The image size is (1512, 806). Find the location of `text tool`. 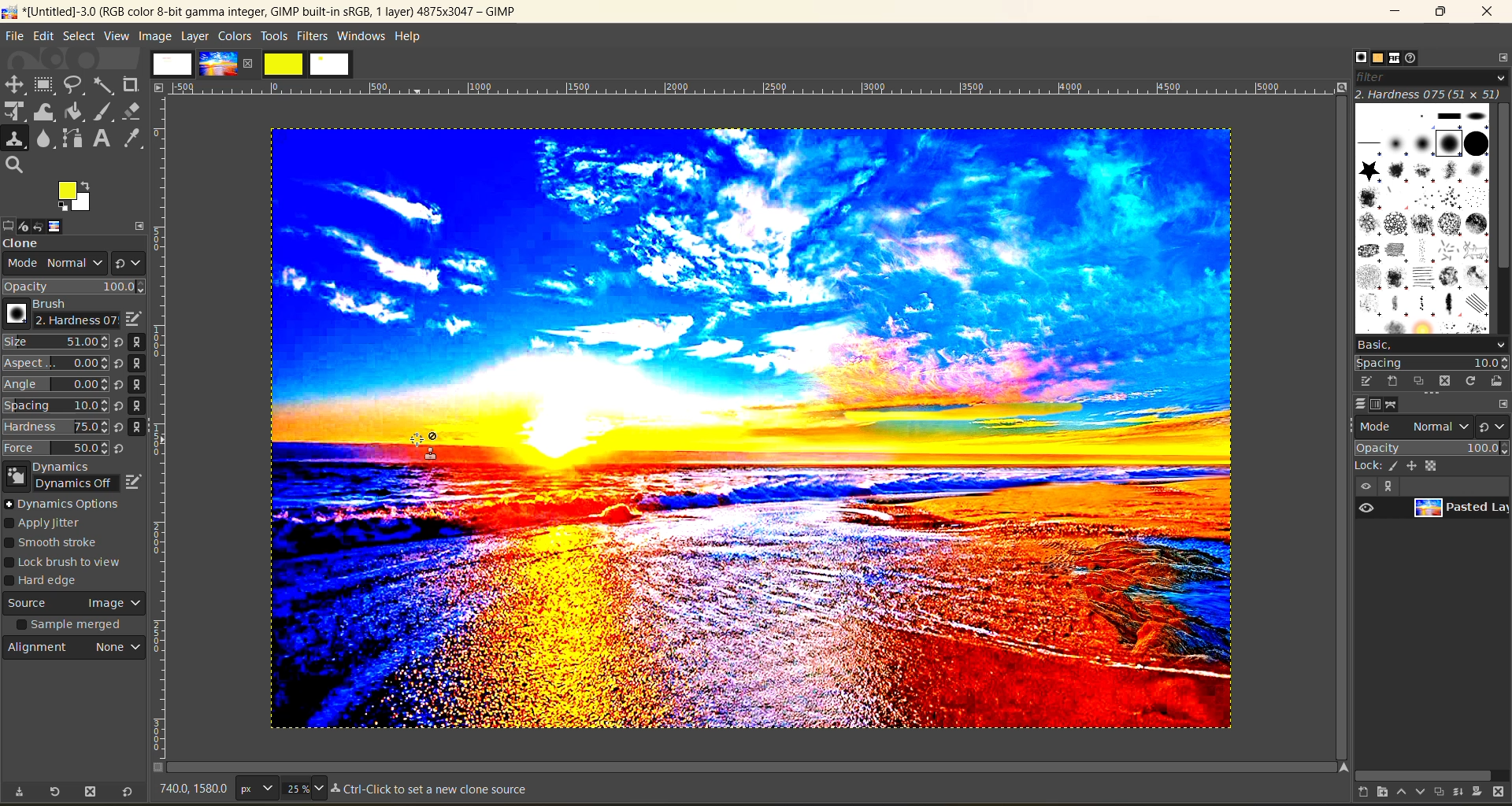

text tool is located at coordinates (103, 139).